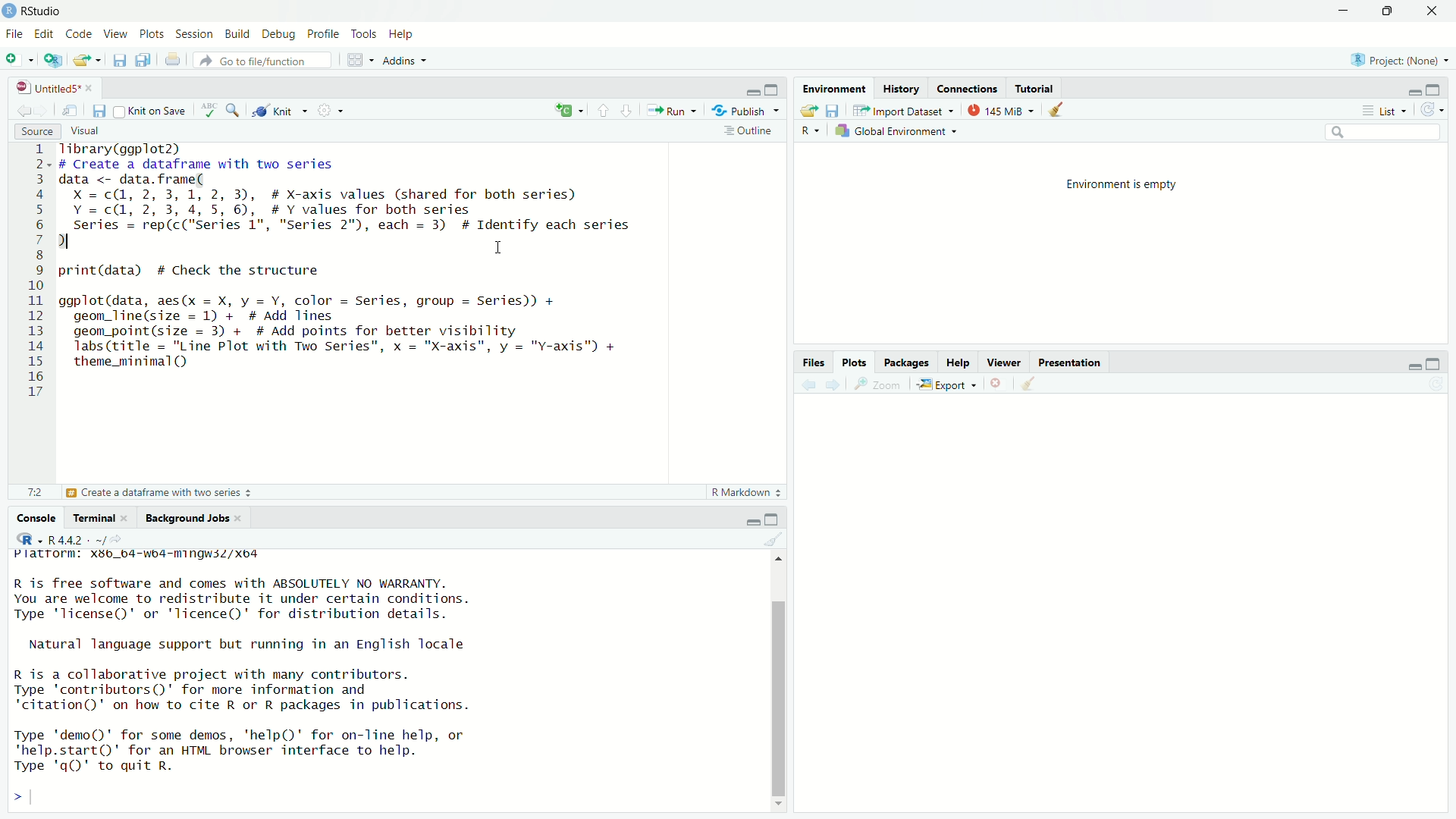 This screenshot has height=819, width=1456. I want to click on Terminal, so click(99, 517).